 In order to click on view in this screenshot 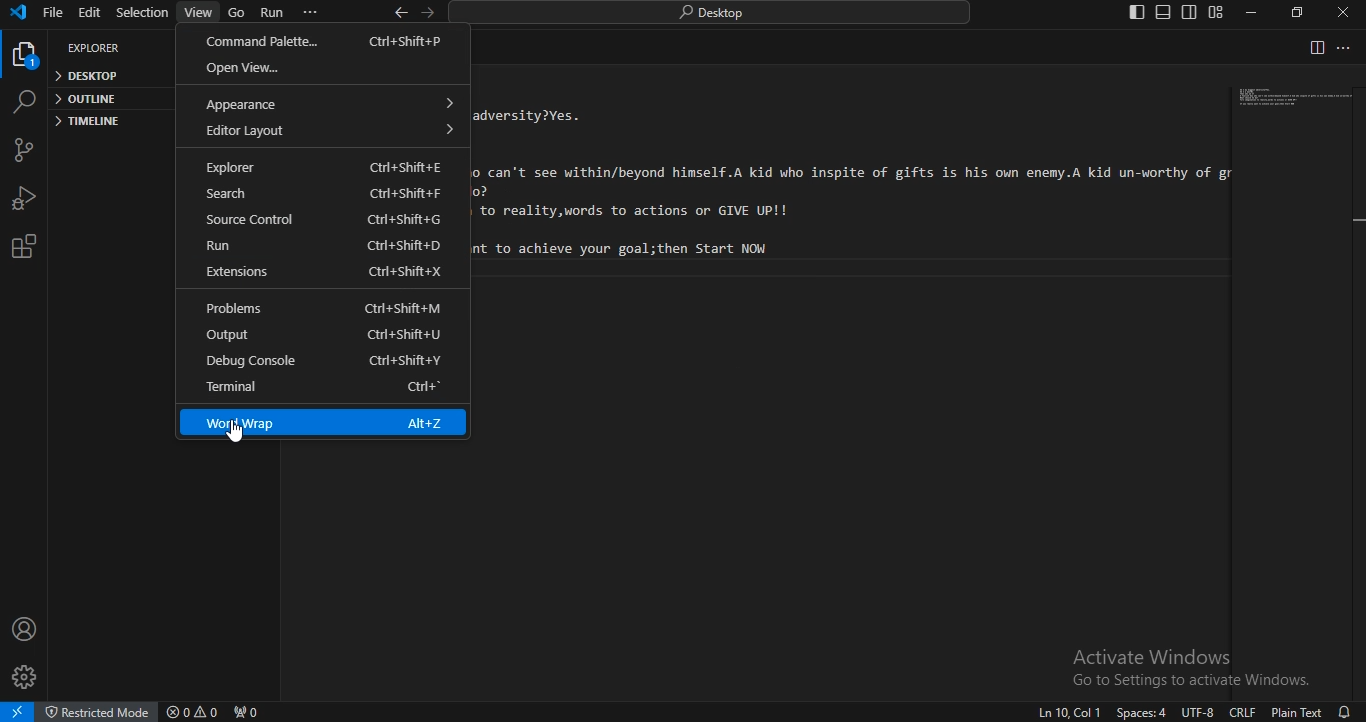, I will do `click(200, 12)`.